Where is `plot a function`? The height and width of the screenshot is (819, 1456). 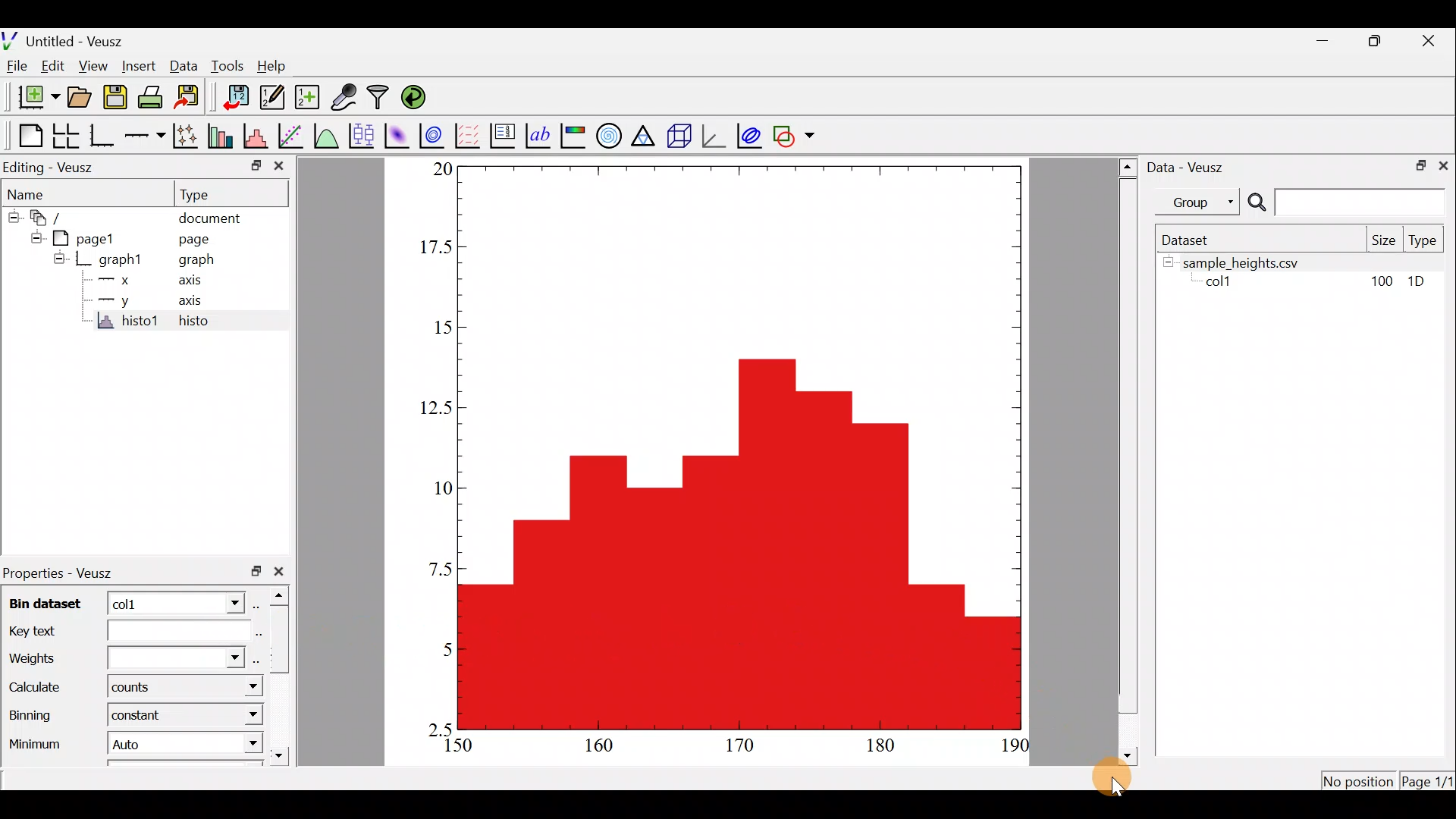 plot a function is located at coordinates (328, 136).